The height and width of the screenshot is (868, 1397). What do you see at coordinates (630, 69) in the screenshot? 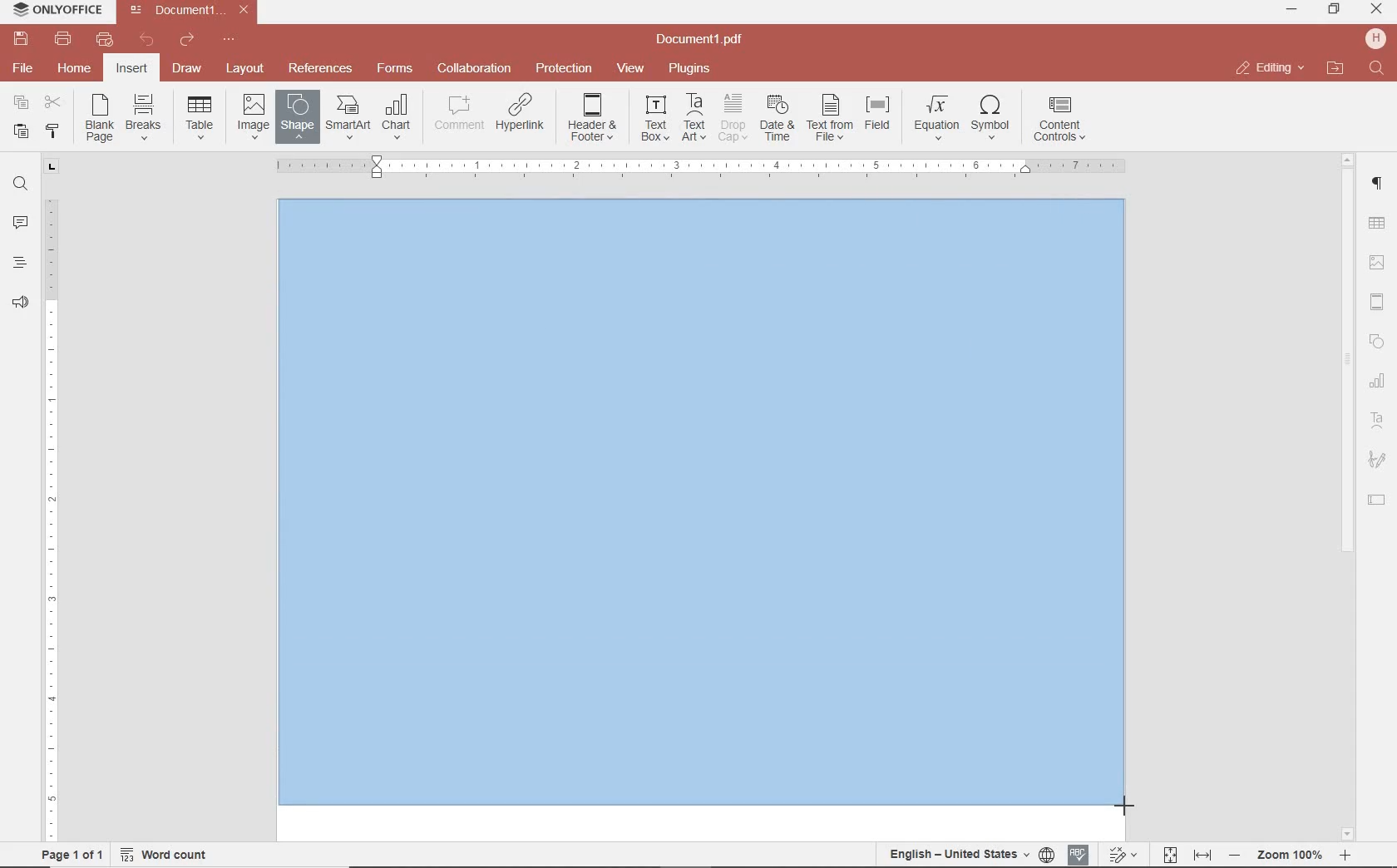
I see `view` at bounding box center [630, 69].